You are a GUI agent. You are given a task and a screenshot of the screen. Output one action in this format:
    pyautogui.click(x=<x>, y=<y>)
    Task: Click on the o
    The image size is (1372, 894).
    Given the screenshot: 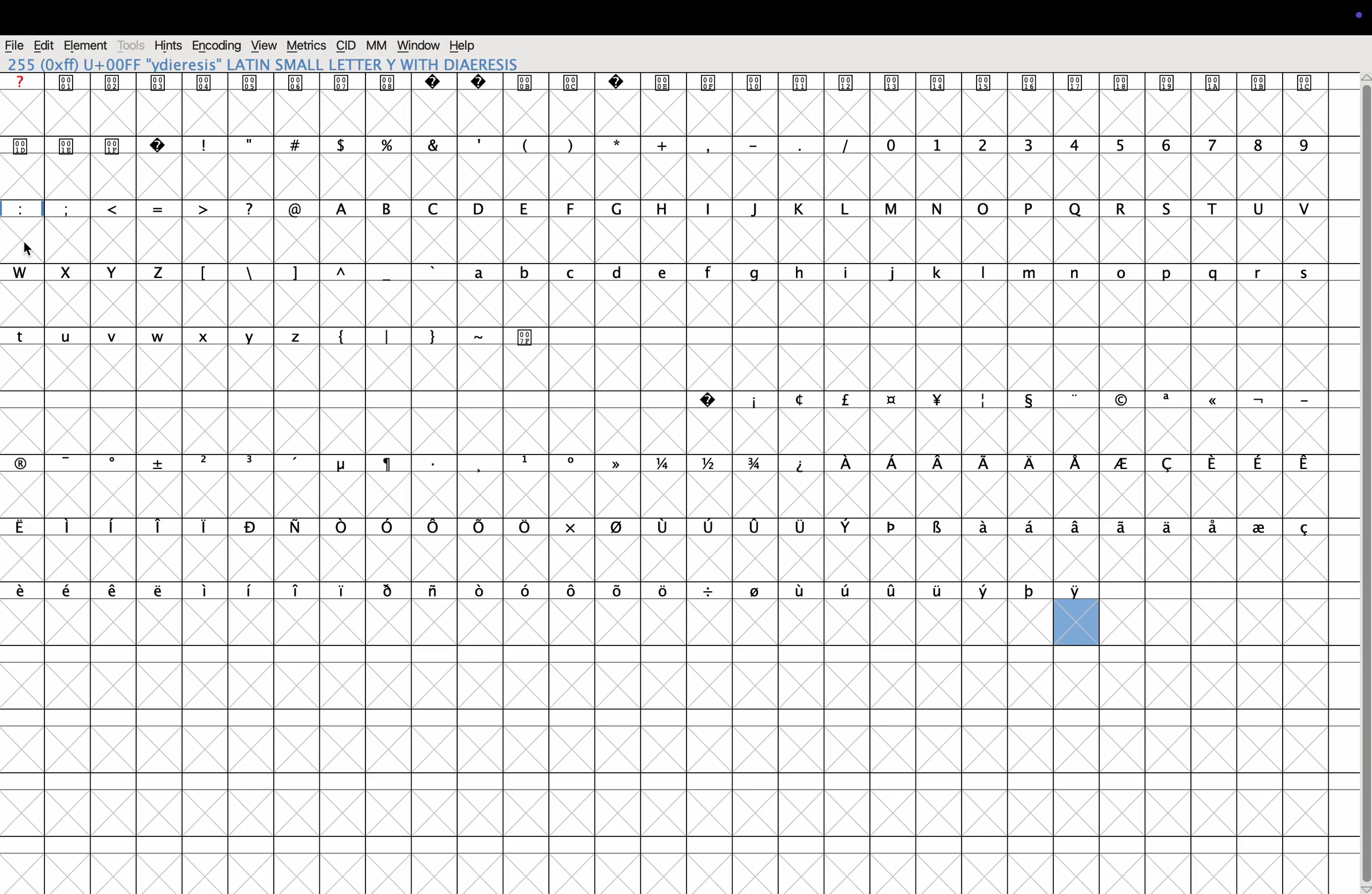 What is the action you would take?
    pyautogui.click(x=984, y=228)
    